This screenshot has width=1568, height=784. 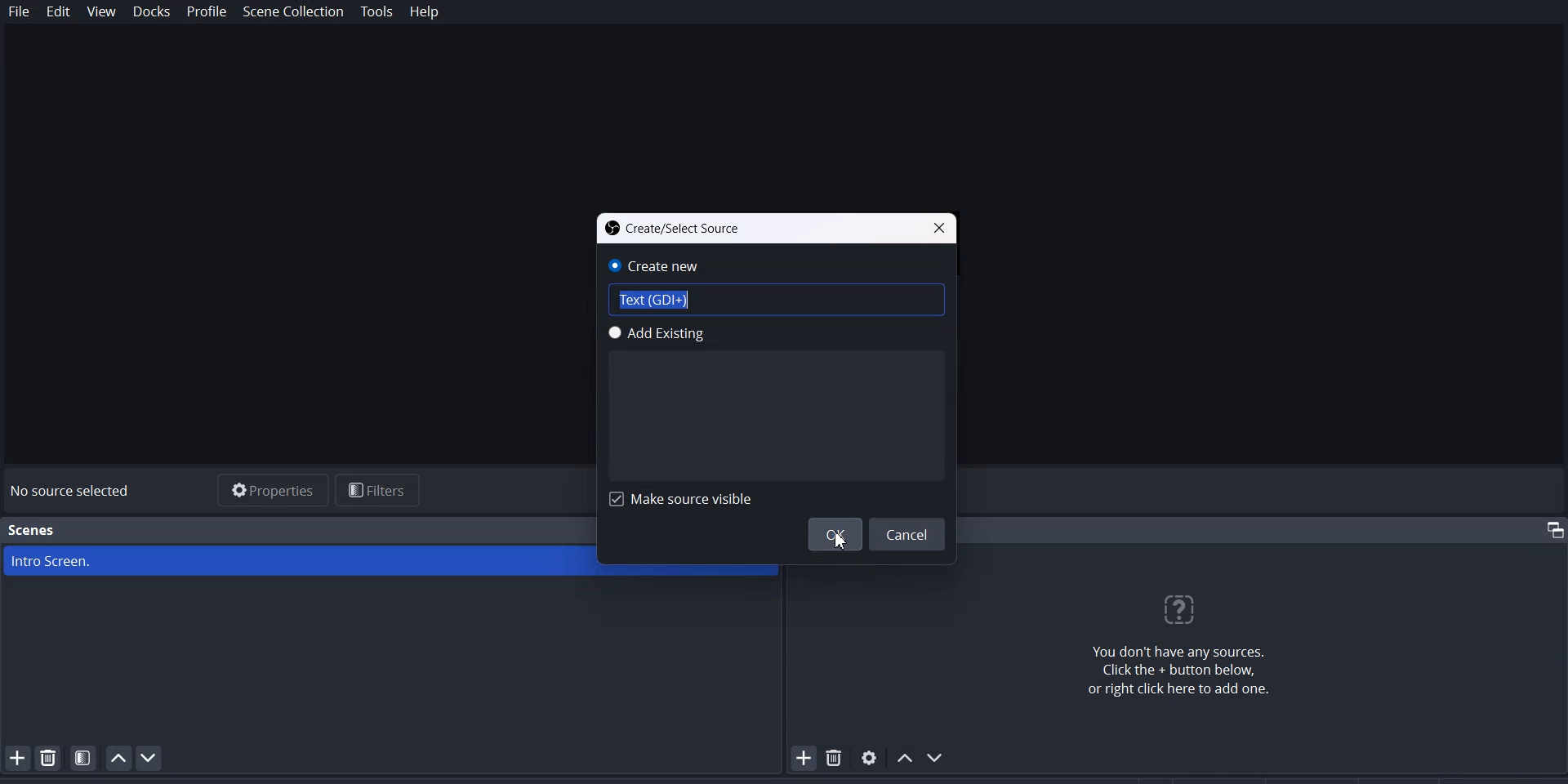 What do you see at coordinates (660, 299) in the screenshot?
I see `Text (GDI +)` at bounding box center [660, 299].